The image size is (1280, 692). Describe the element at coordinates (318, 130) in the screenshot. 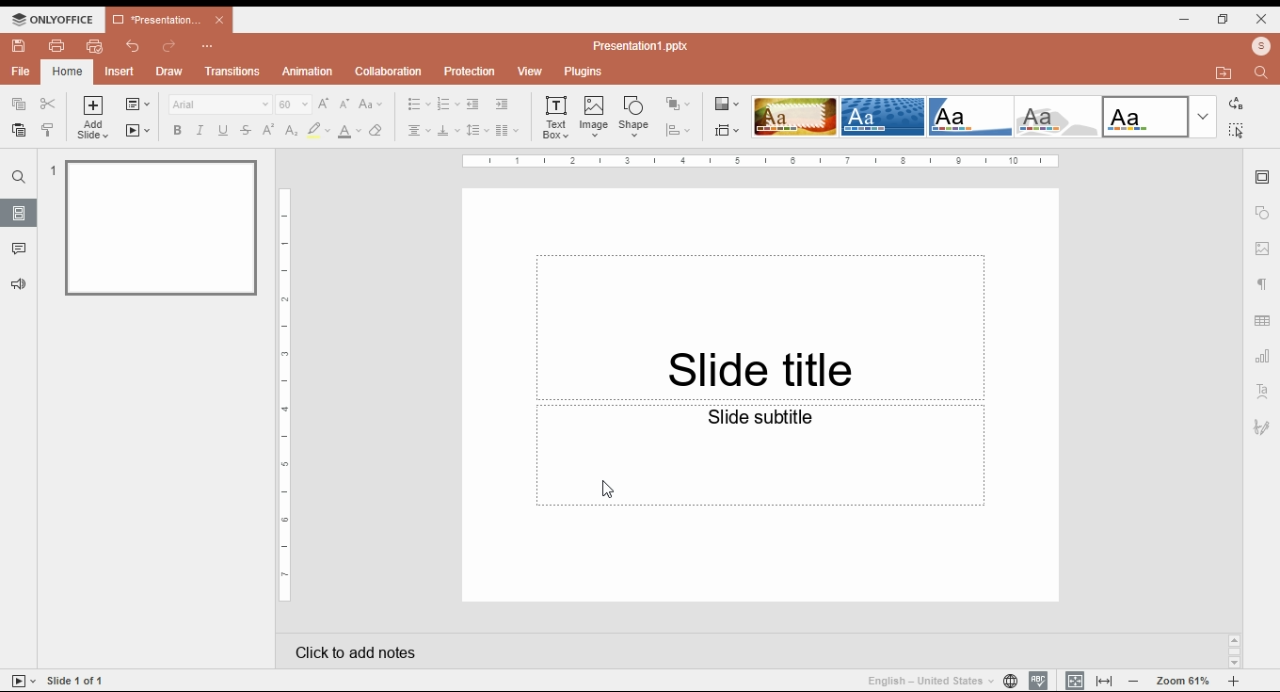

I see `highlight color` at that location.